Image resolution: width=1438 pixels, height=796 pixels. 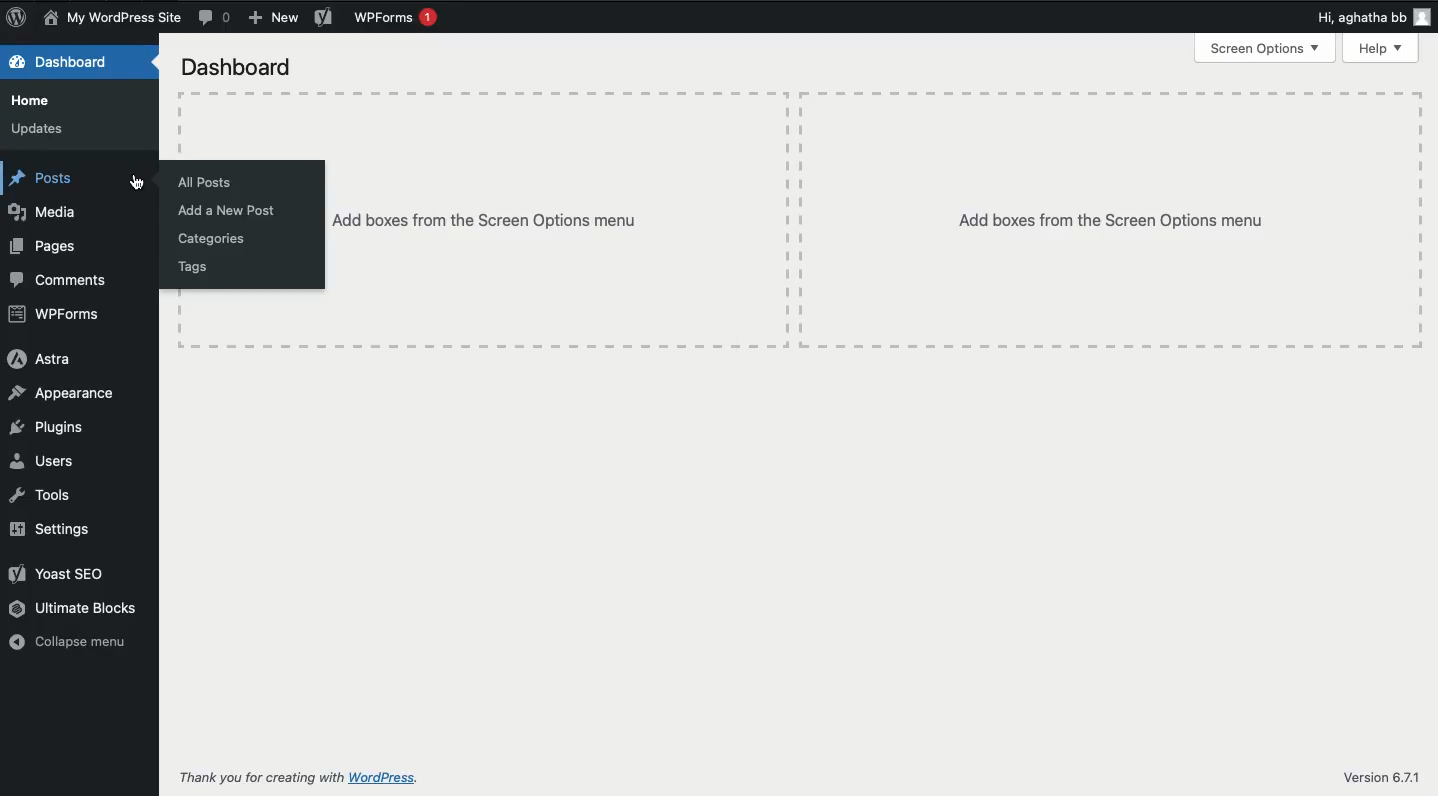 What do you see at coordinates (81, 610) in the screenshot?
I see `Ultimate blocks ` at bounding box center [81, 610].